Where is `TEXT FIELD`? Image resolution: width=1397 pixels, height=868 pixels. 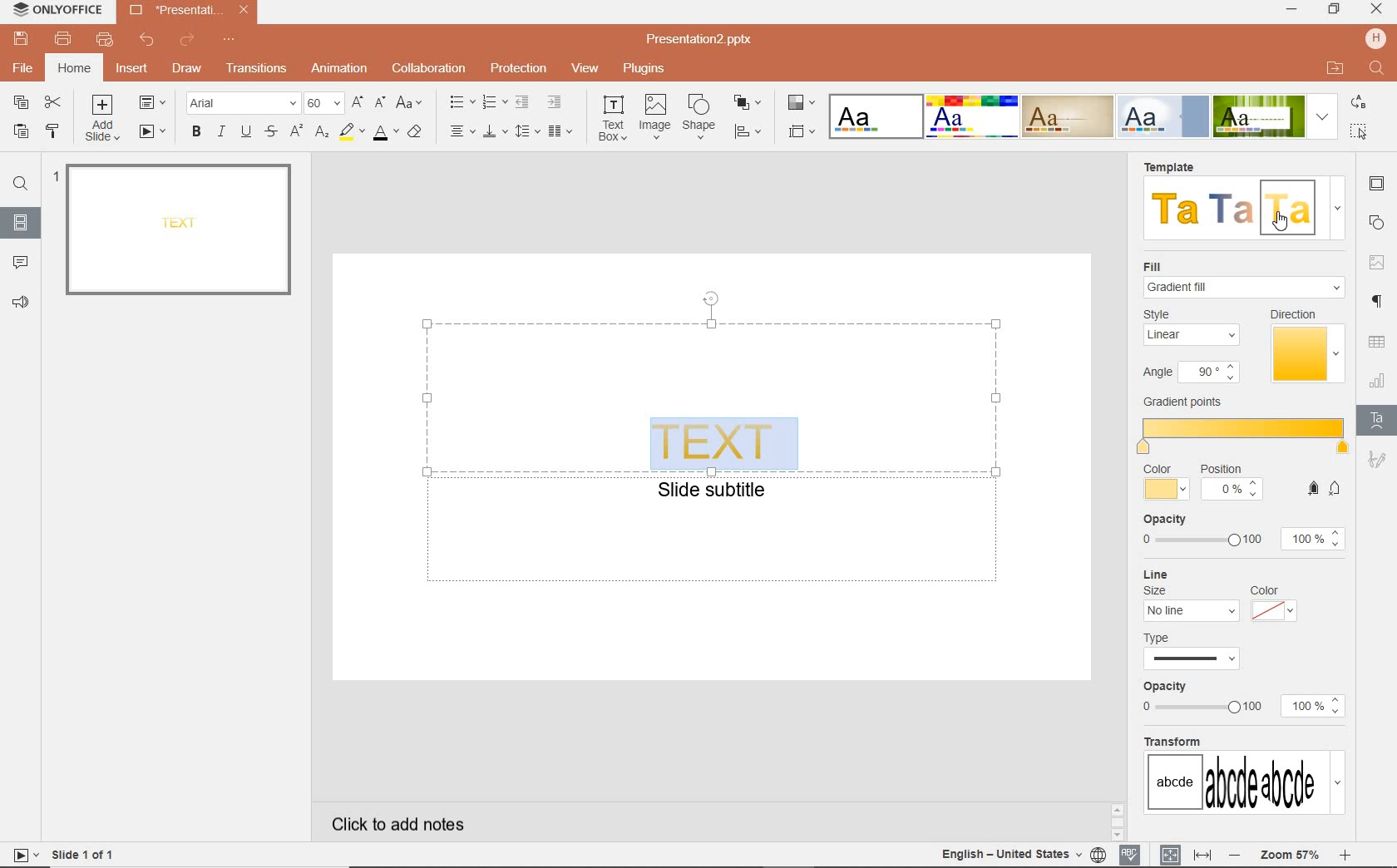 TEXT FIELD is located at coordinates (713, 538).